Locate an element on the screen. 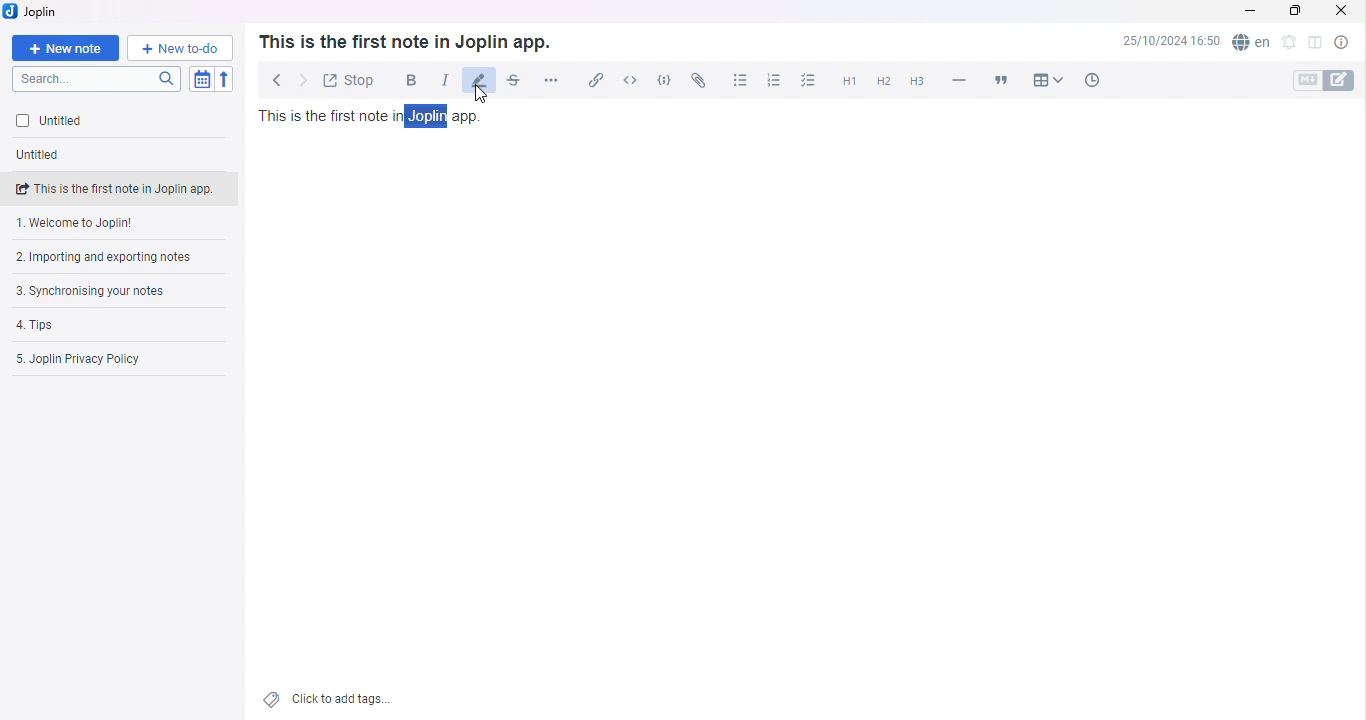 Image resolution: width=1366 pixels, height=720 pixels. Text in note is located at coordinates (373, 116).